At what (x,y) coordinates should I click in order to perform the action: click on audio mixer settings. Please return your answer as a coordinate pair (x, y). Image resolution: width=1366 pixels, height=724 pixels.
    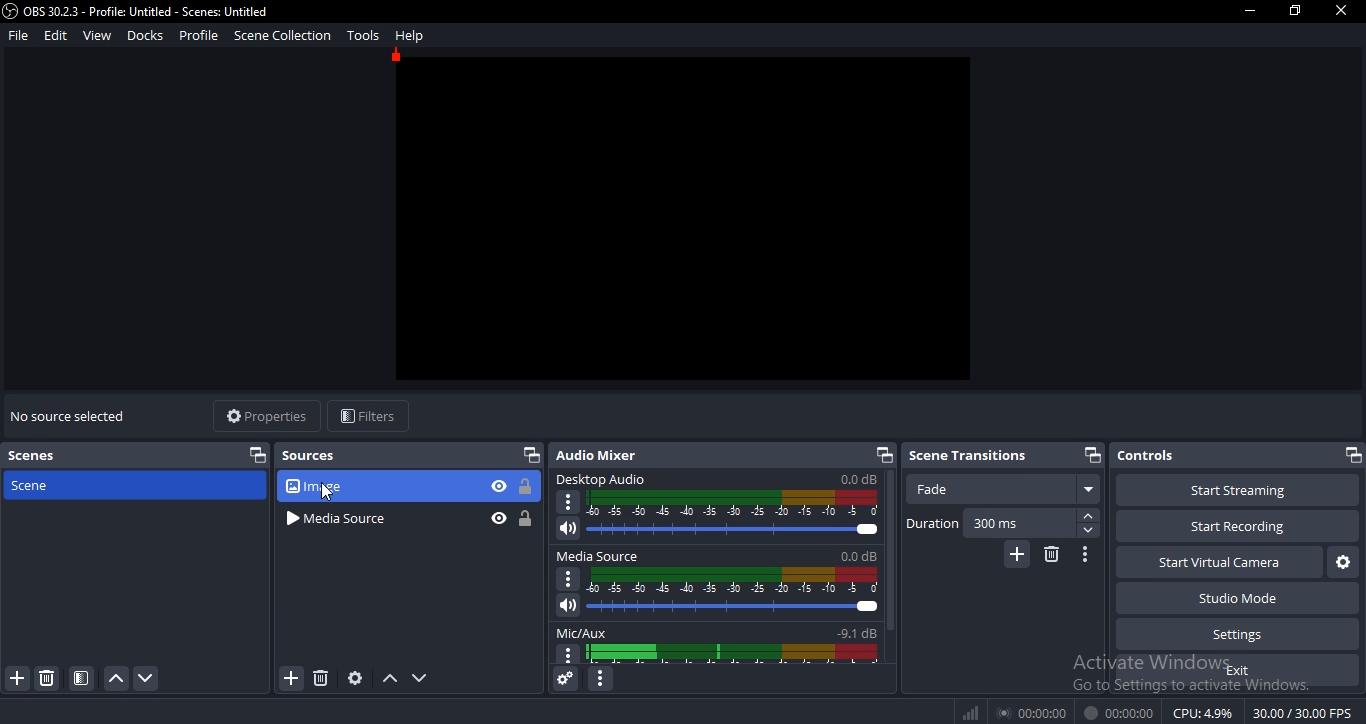
    Looking at the image, I should click on (565, 679).